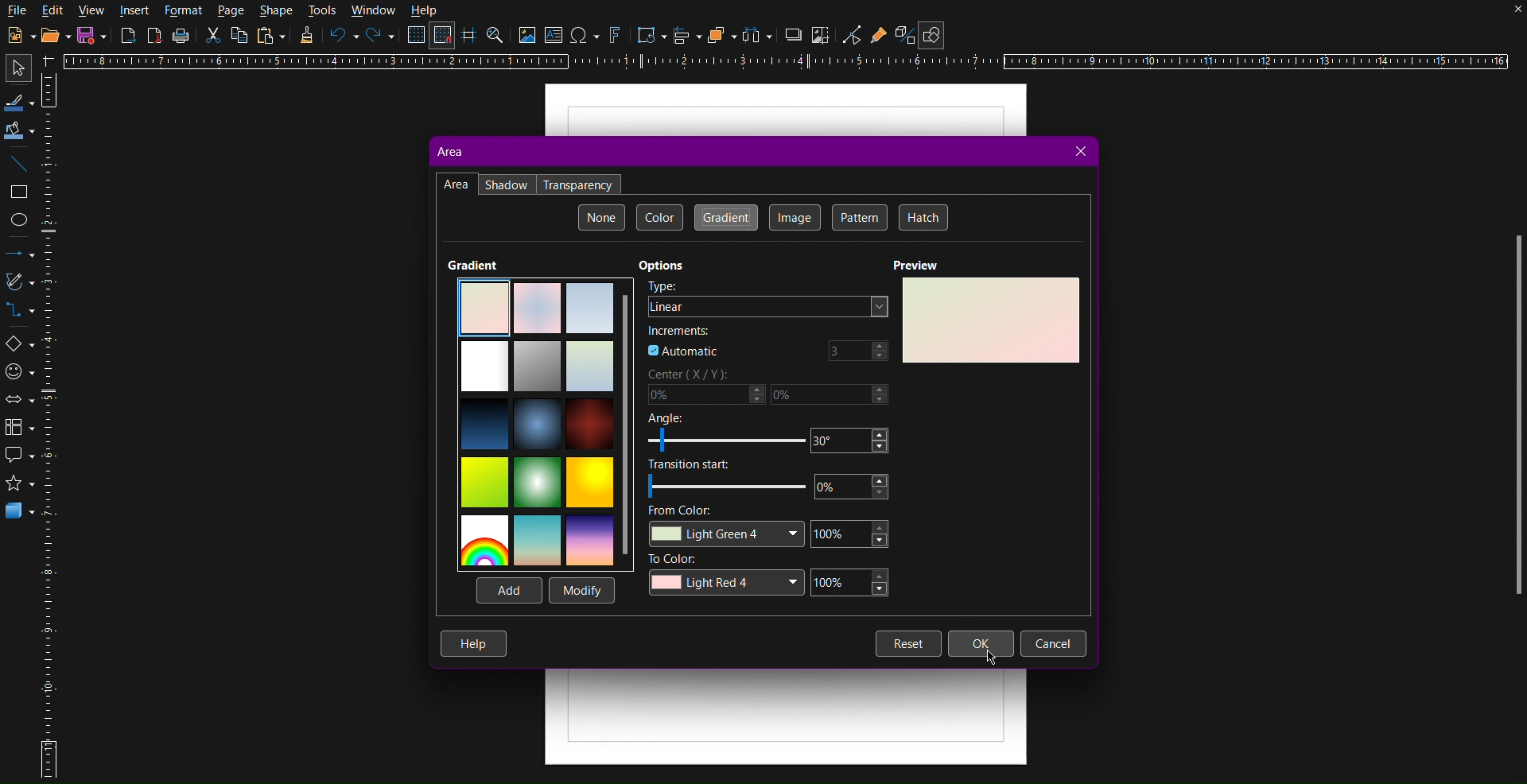 The width and height of the screenshot is (1527, 784). What do you see at coordinates (852, 35) in the screenshot?
I see `Toggle Point Edit Mode` at bounding box center [852, 35].